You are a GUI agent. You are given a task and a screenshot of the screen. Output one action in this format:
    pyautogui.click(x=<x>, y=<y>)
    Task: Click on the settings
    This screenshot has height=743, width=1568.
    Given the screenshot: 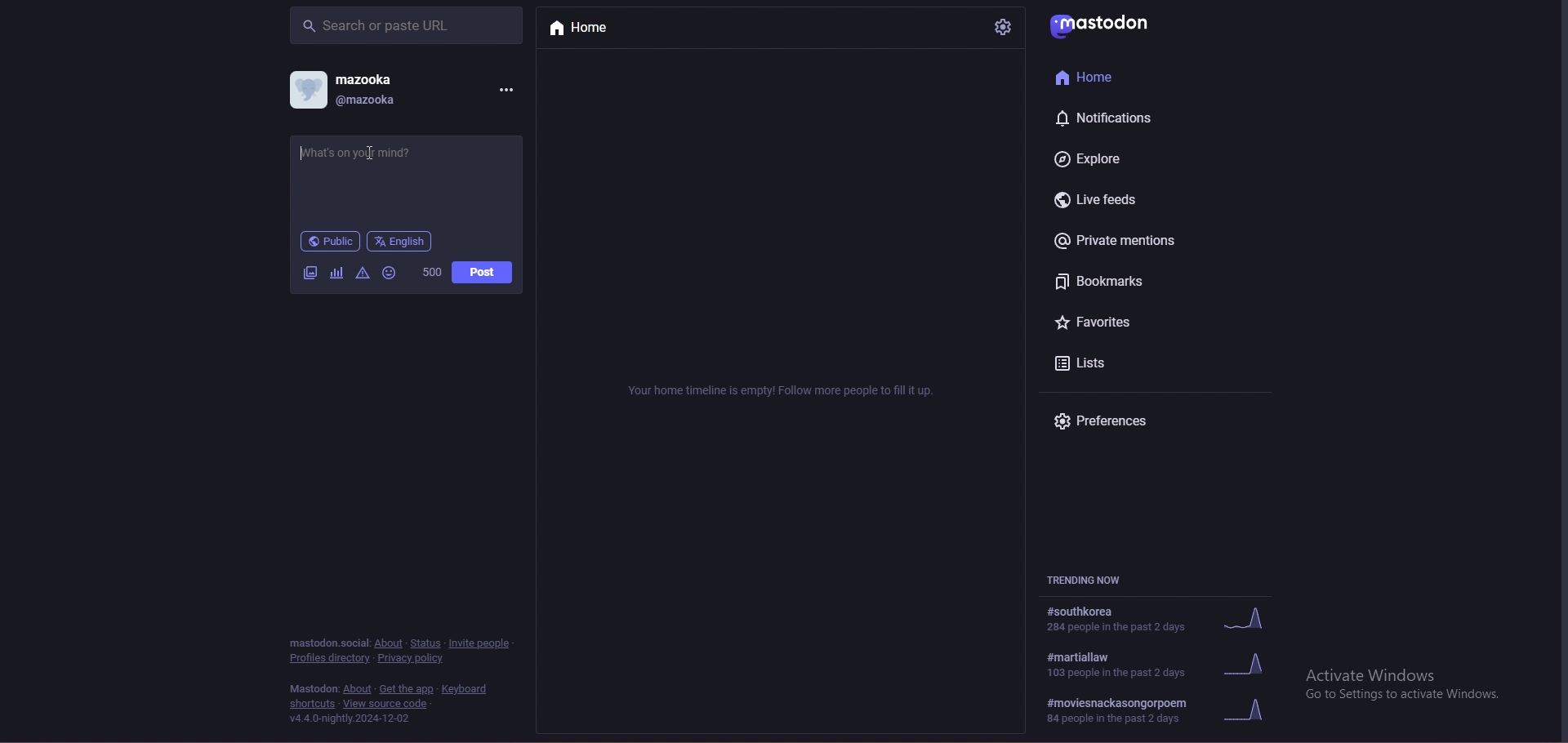 What is the action you would take?
    pyautogui.click(x=1004, y=28)
    